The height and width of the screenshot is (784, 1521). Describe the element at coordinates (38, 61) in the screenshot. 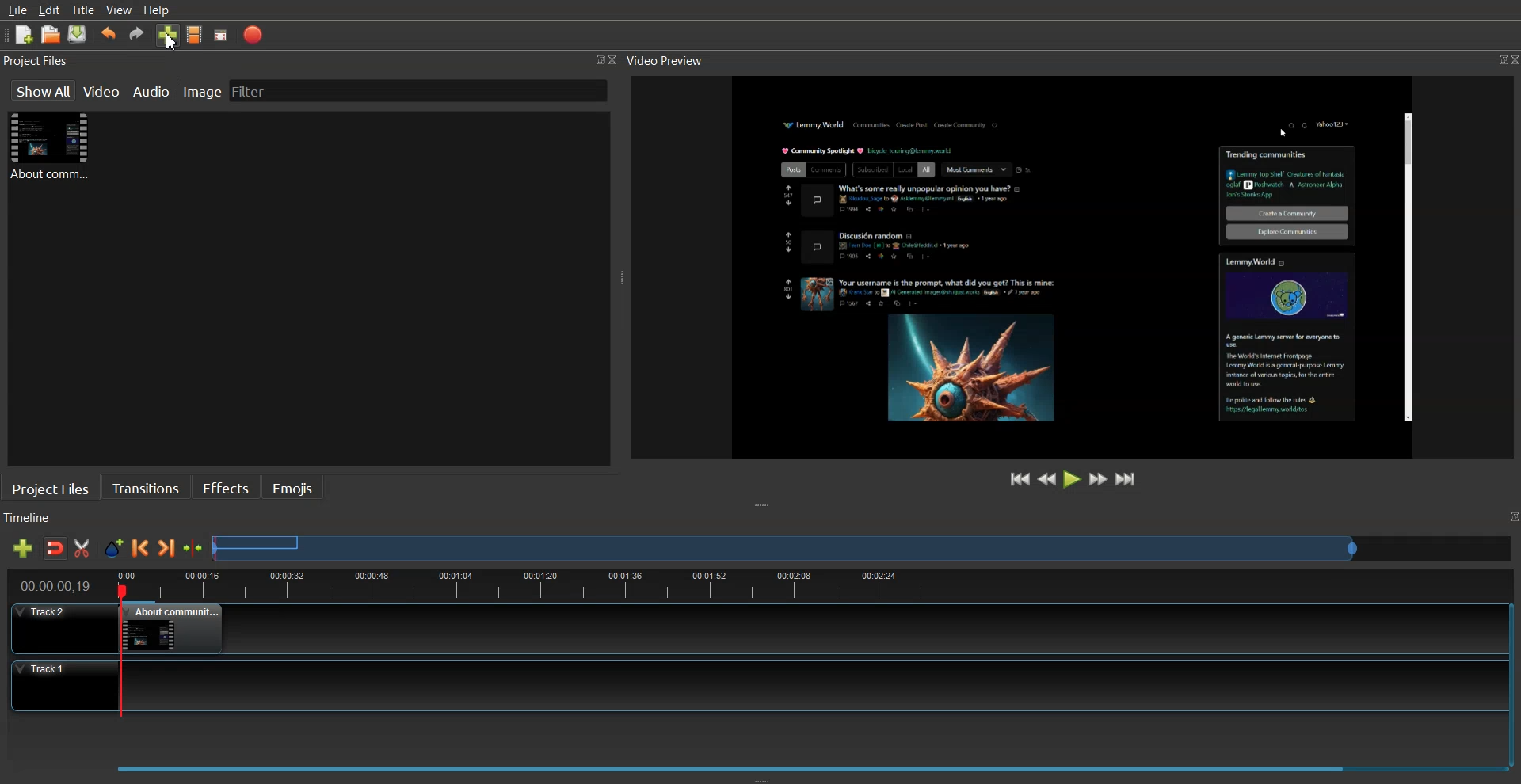

I see `Project Files` at that location.